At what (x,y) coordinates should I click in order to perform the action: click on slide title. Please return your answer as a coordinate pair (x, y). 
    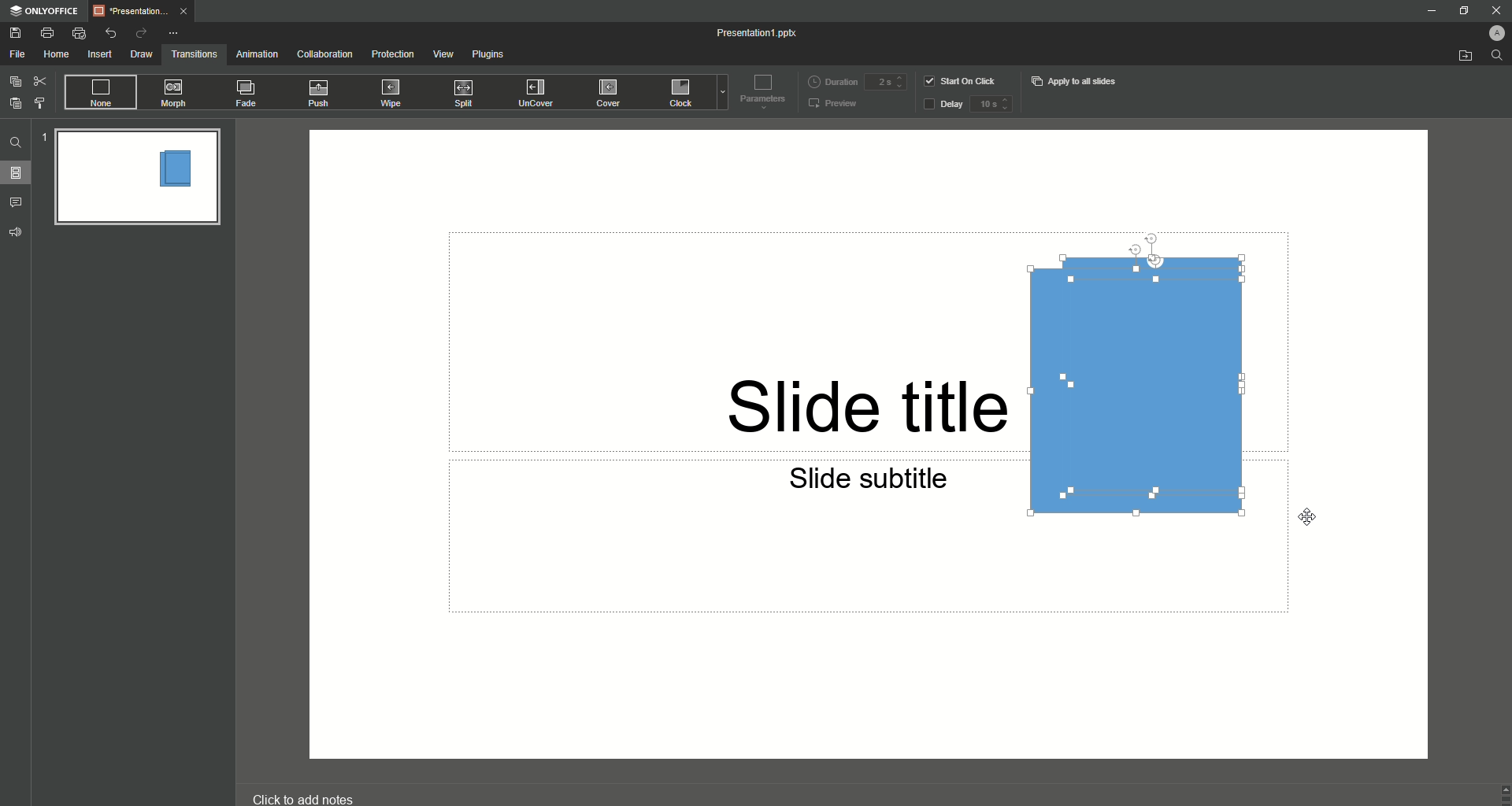
    Looking at the image, I should click on (858, 404).